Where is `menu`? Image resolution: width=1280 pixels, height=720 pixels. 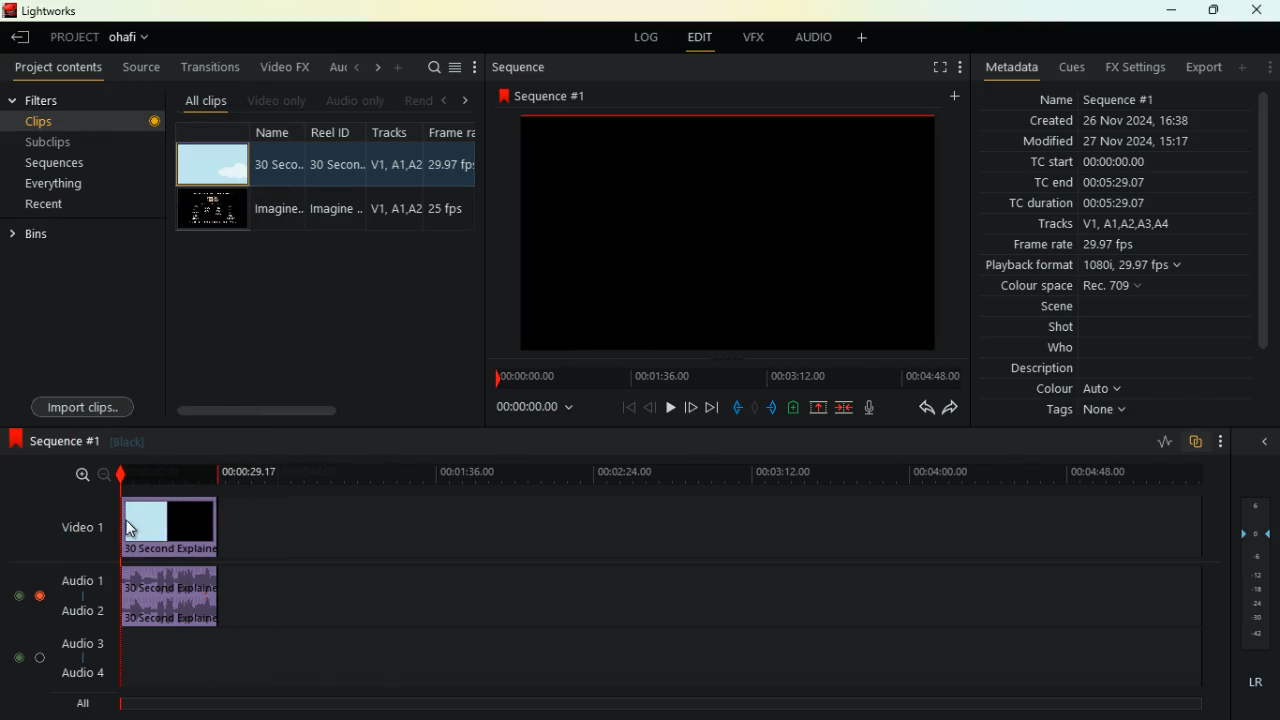 menu is located at coordinates (455, 69).